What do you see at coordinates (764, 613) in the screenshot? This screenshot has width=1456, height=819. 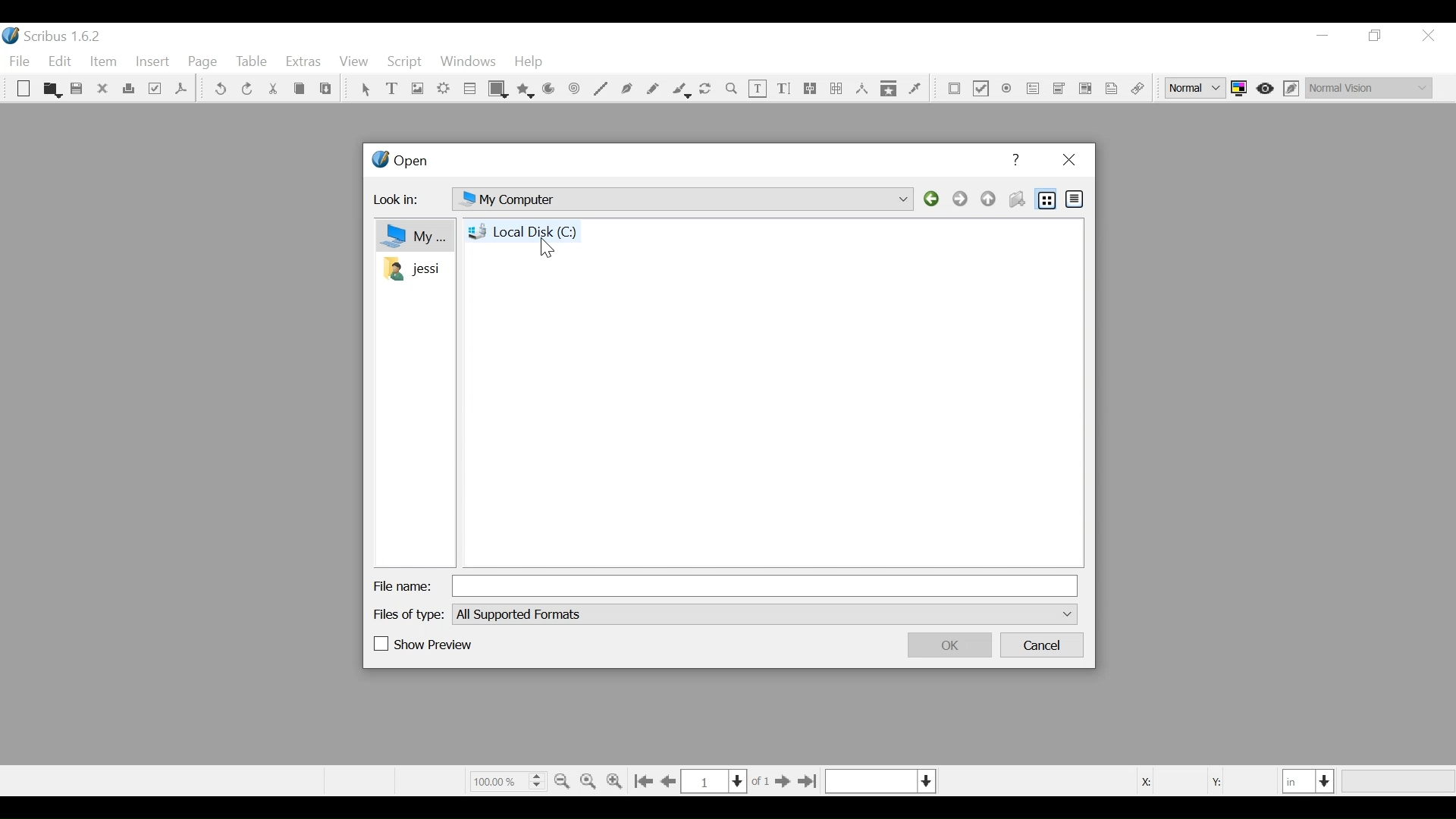 I see `File of type dropdown menu` at bounding box center [764, 613].